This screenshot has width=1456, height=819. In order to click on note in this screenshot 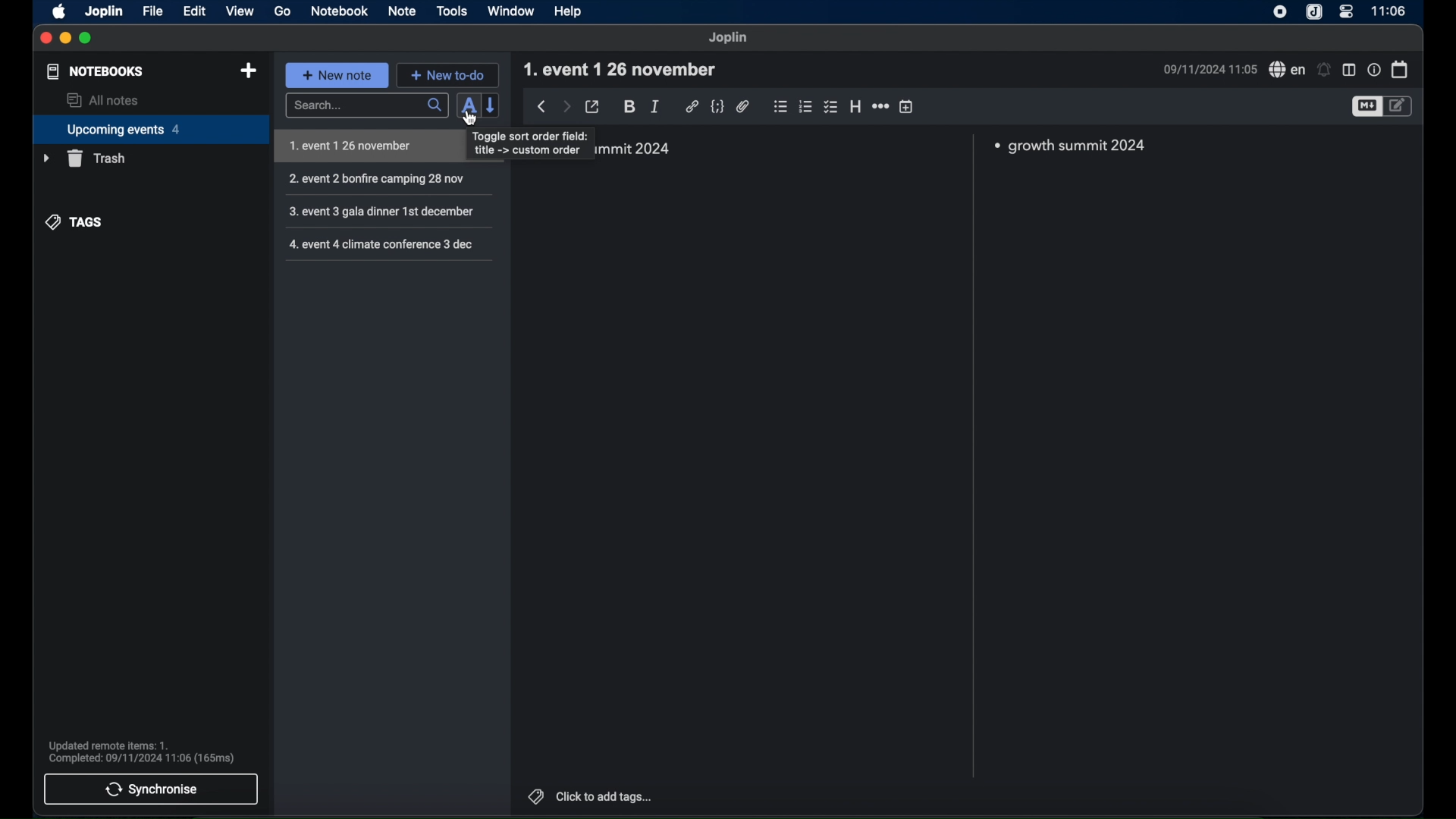, I will do `click(402, 11)`.